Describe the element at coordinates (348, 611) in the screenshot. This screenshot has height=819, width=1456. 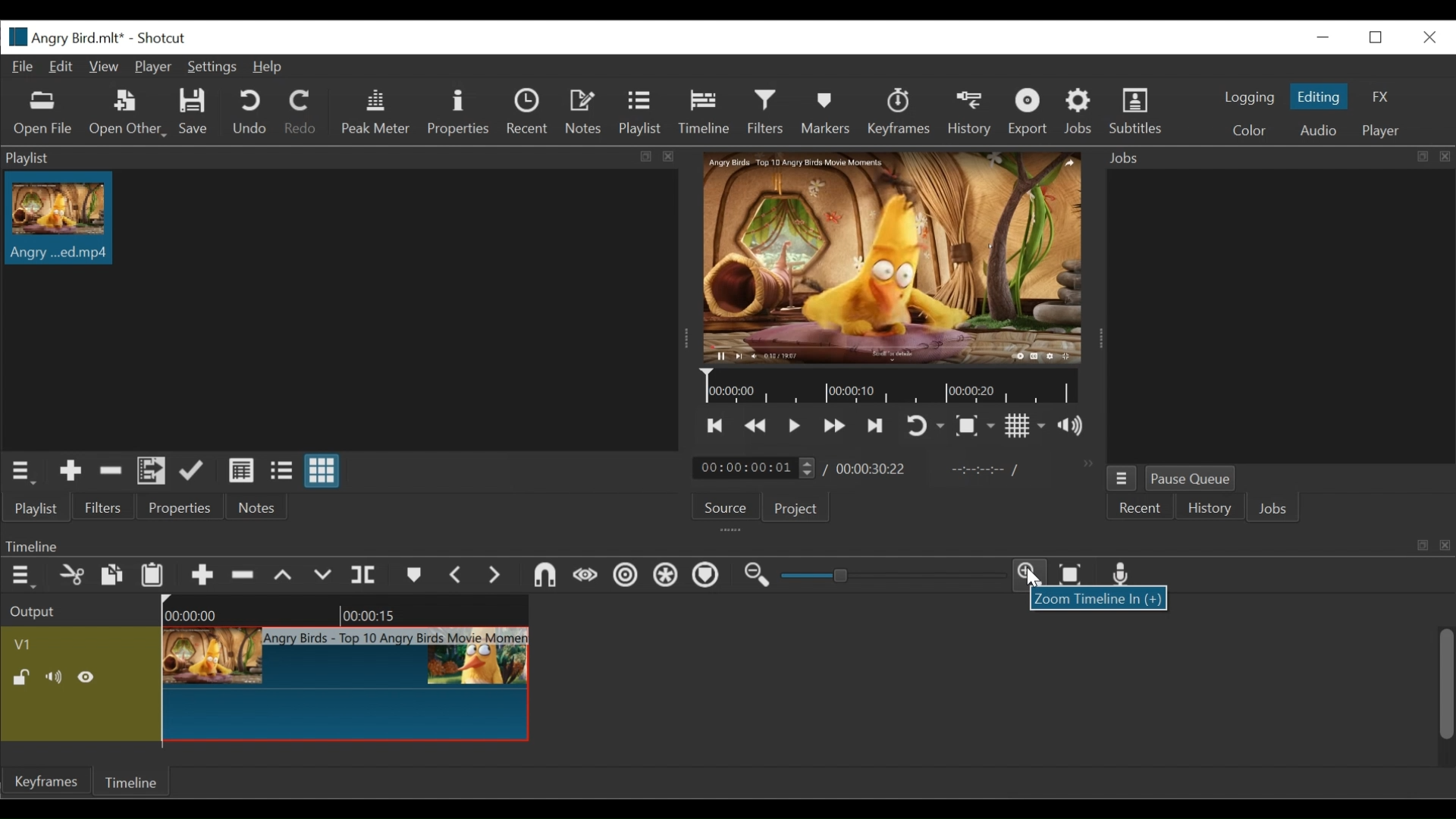
I see `Timeline` at that location.